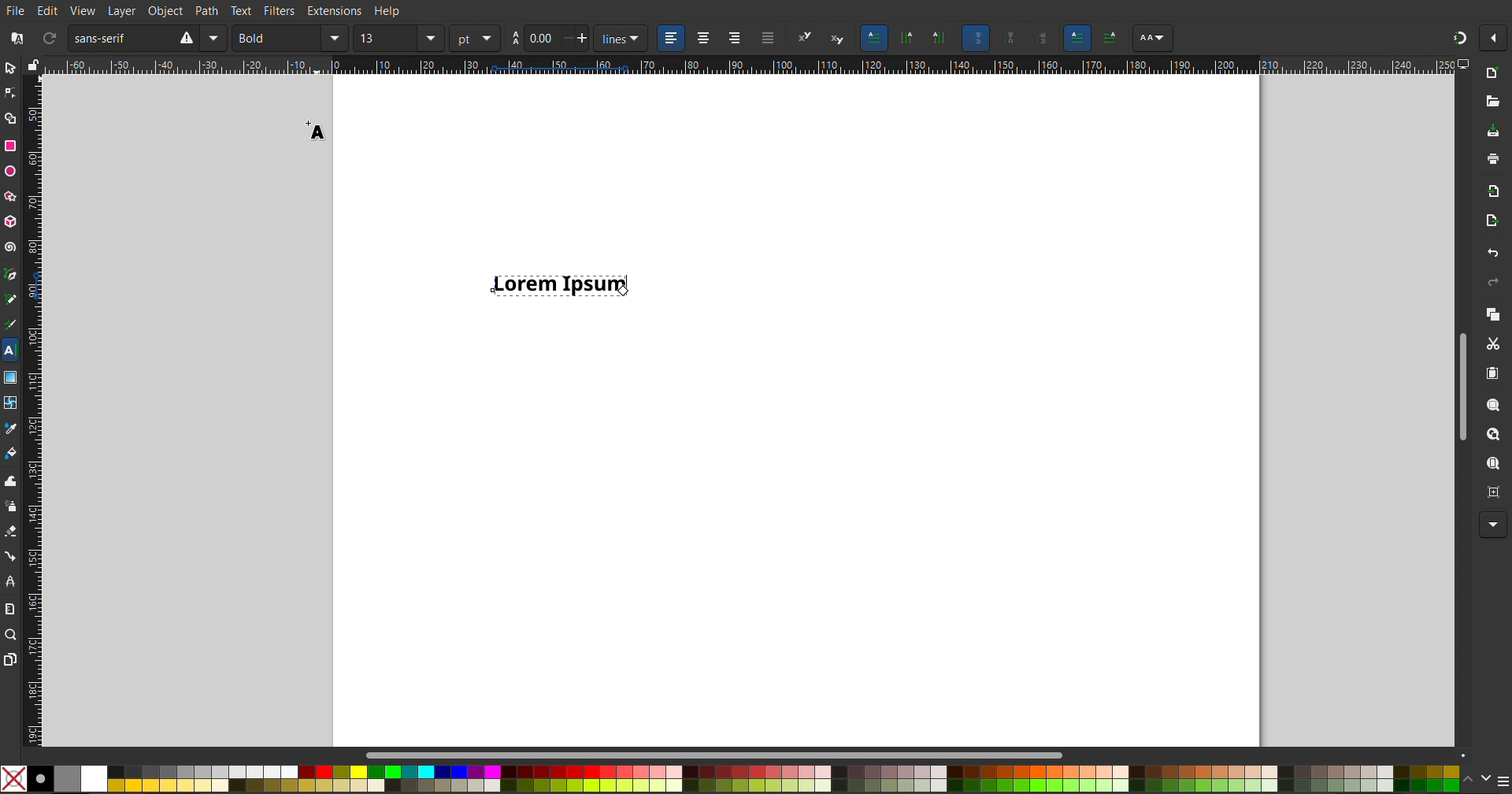 The height and width of the screenshot is (794, 1512). I want to click on Select, so click(10, 70).